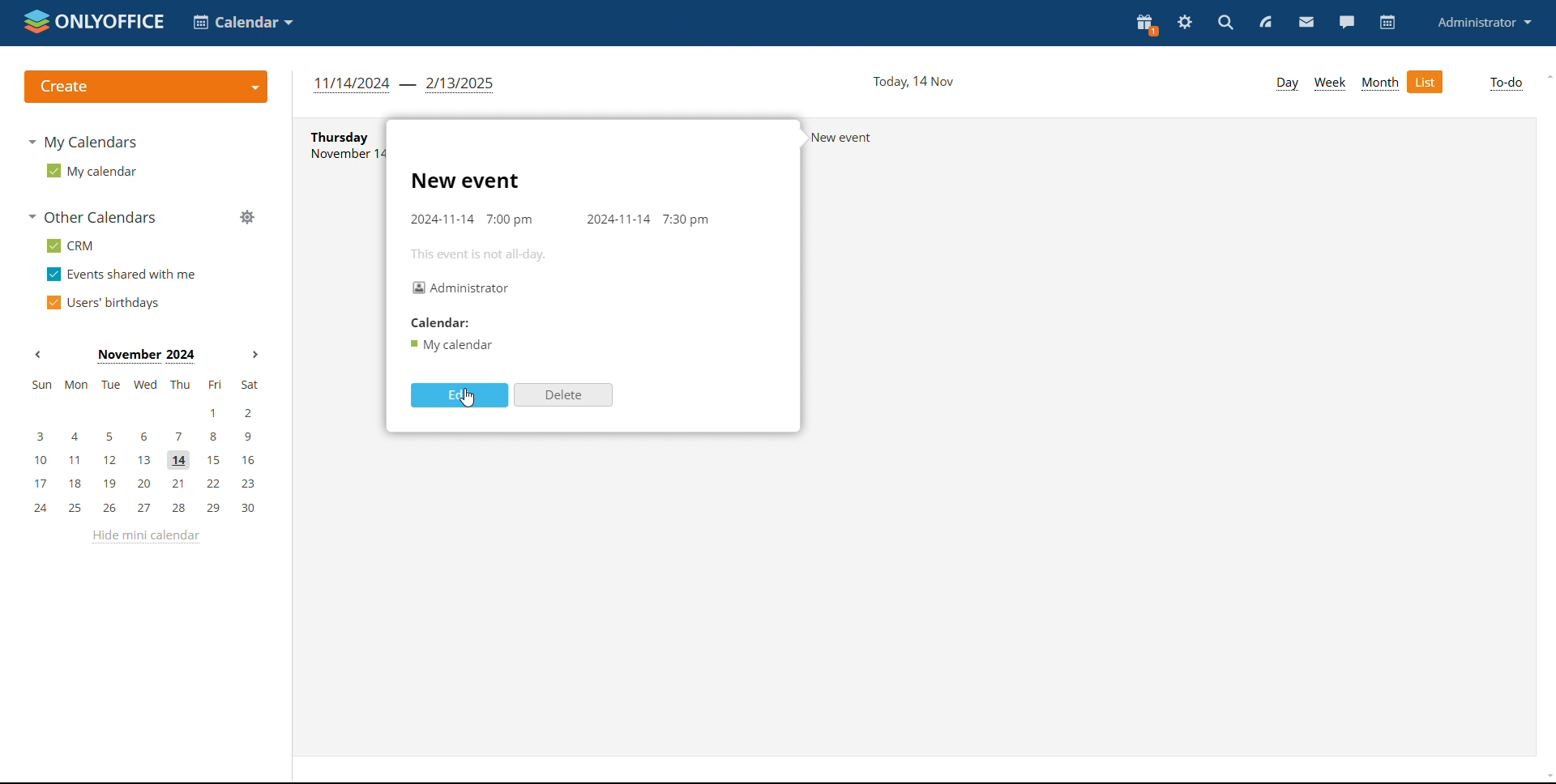 The width and height of the screenshot is (1556, 784). I want to click on previous month, so click(38, 356).